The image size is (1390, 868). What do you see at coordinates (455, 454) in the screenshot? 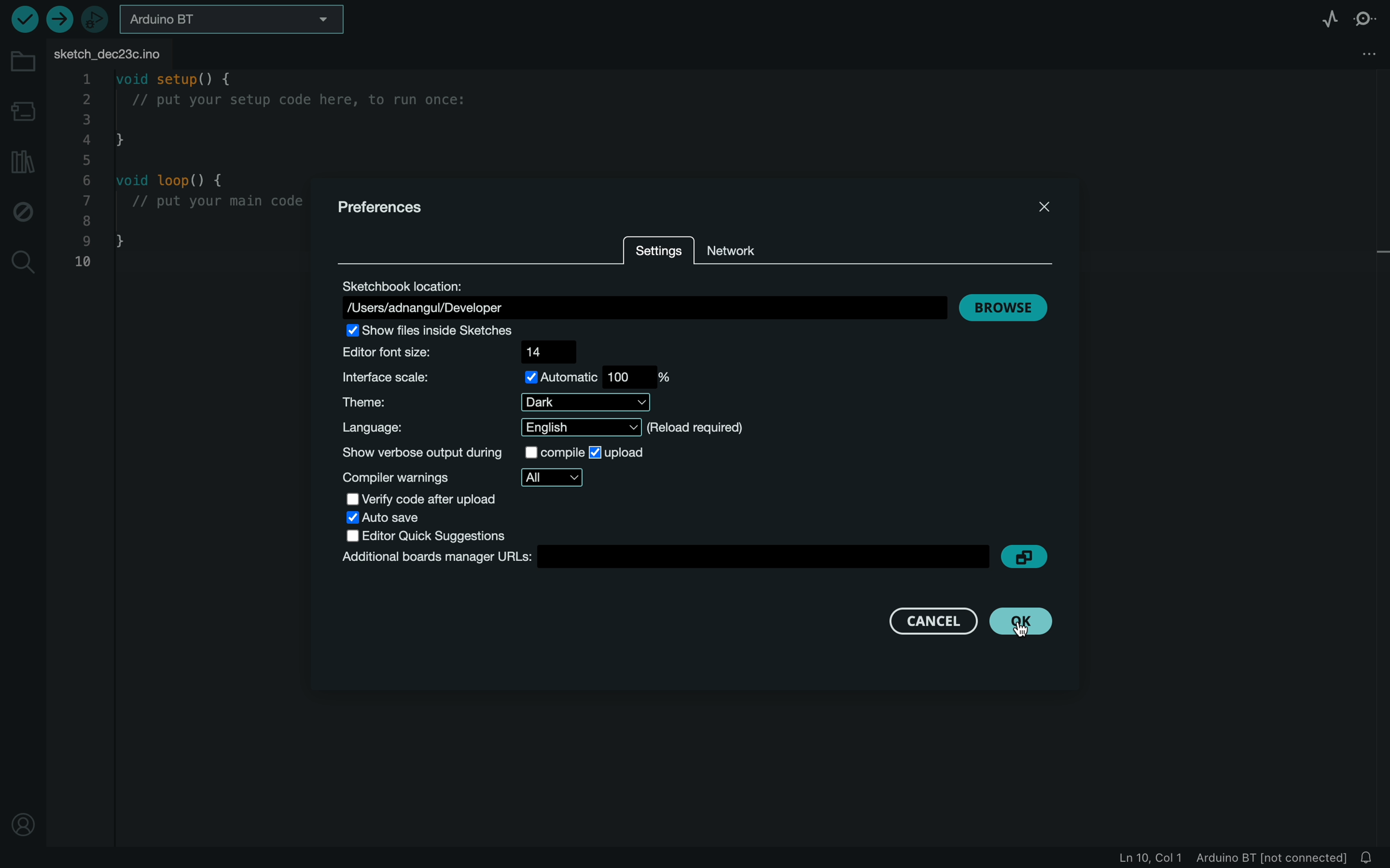
I see `show verbose` at bounding box center [455, 454].